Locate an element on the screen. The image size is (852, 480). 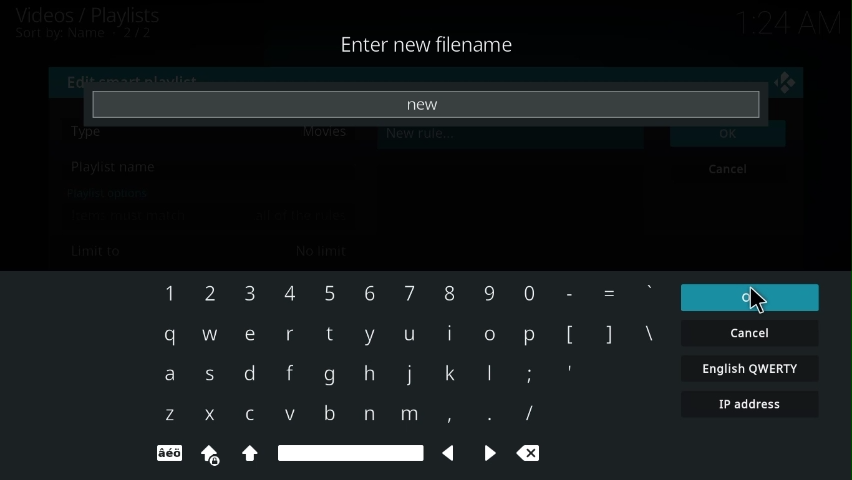
7 is located at coordinates (408, 293).